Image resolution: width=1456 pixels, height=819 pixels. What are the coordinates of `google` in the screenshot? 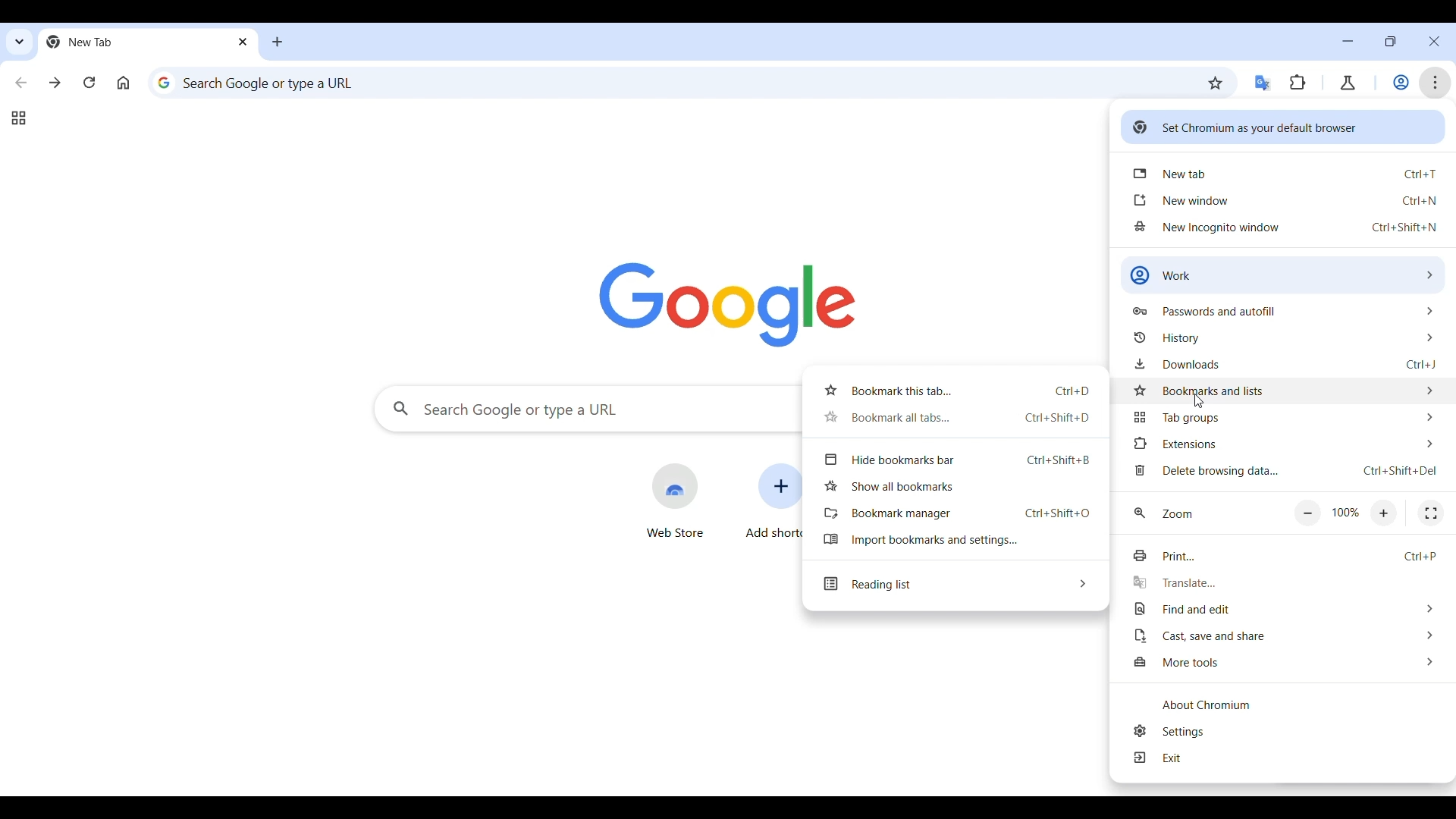 It's located at (728, 305).